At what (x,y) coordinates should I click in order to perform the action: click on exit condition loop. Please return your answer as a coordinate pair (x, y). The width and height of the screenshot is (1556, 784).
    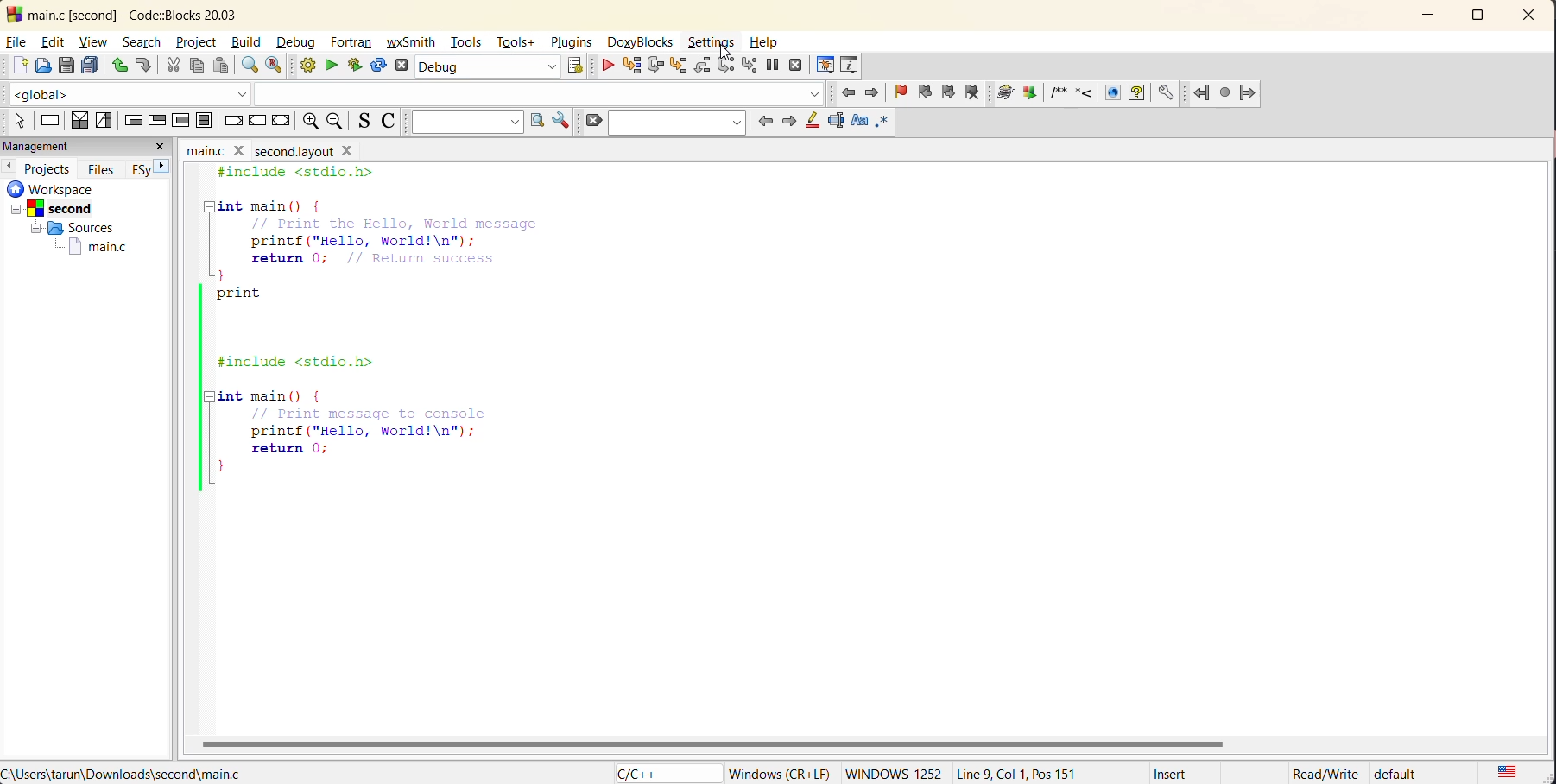
    Looking at the image, I should click on (156, 119).